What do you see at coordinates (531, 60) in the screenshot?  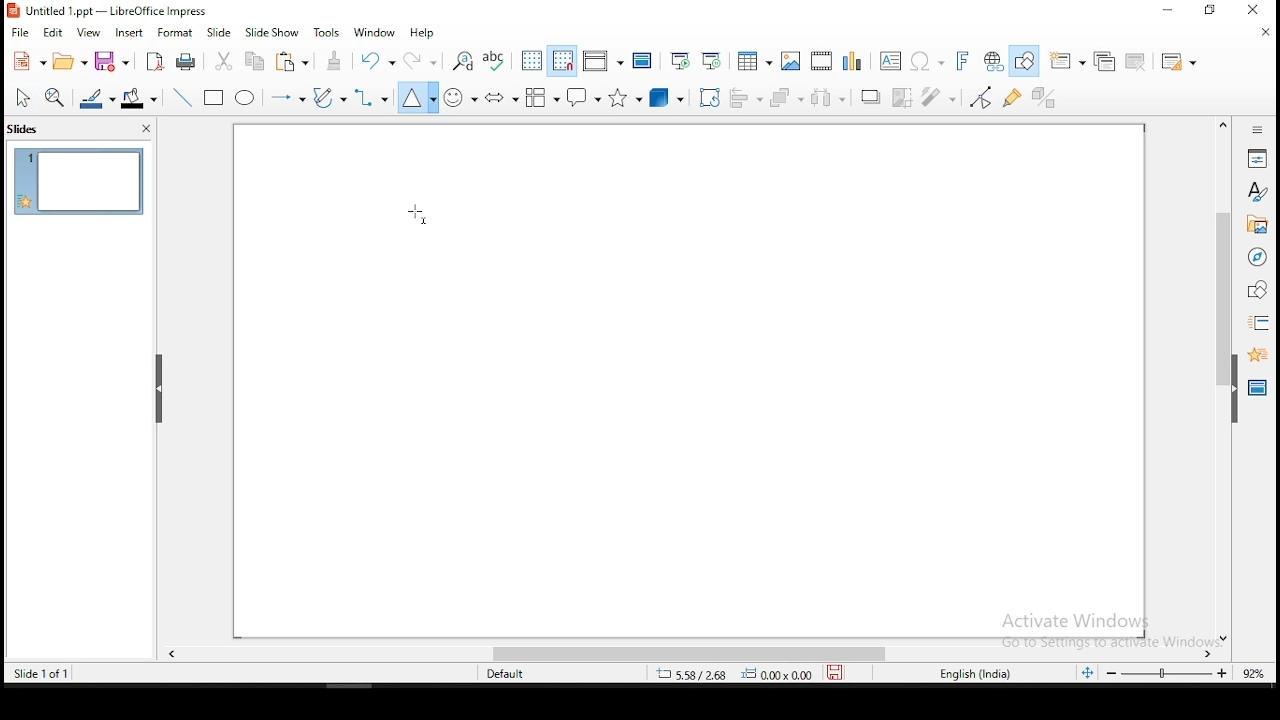 I see `show grid` at bounding box center [531, 60].